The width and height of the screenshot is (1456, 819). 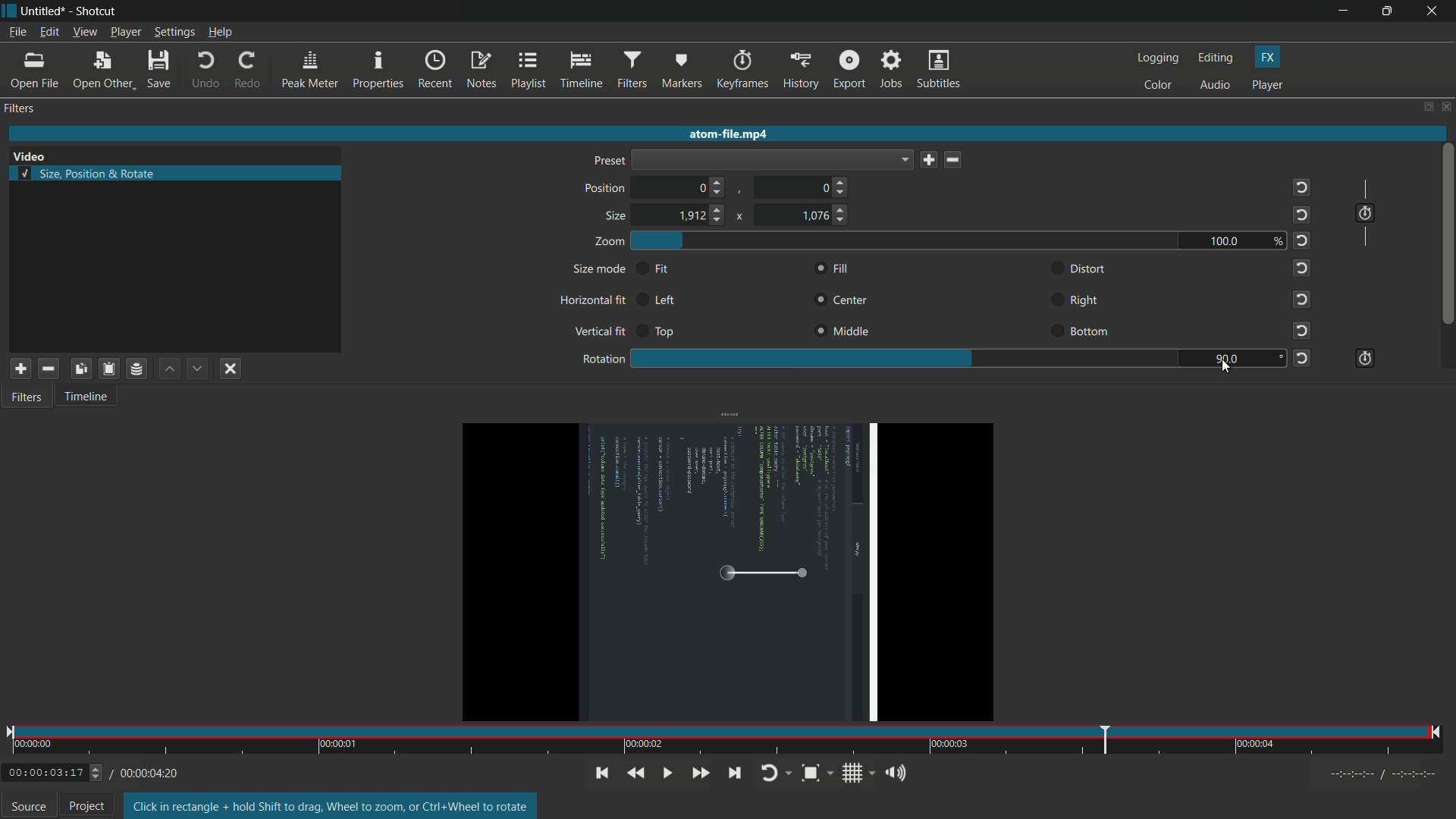 What do you see at coordinates (1344, 11) in the screenshot?
I see `minimize` at bounding box center [1344, 11].